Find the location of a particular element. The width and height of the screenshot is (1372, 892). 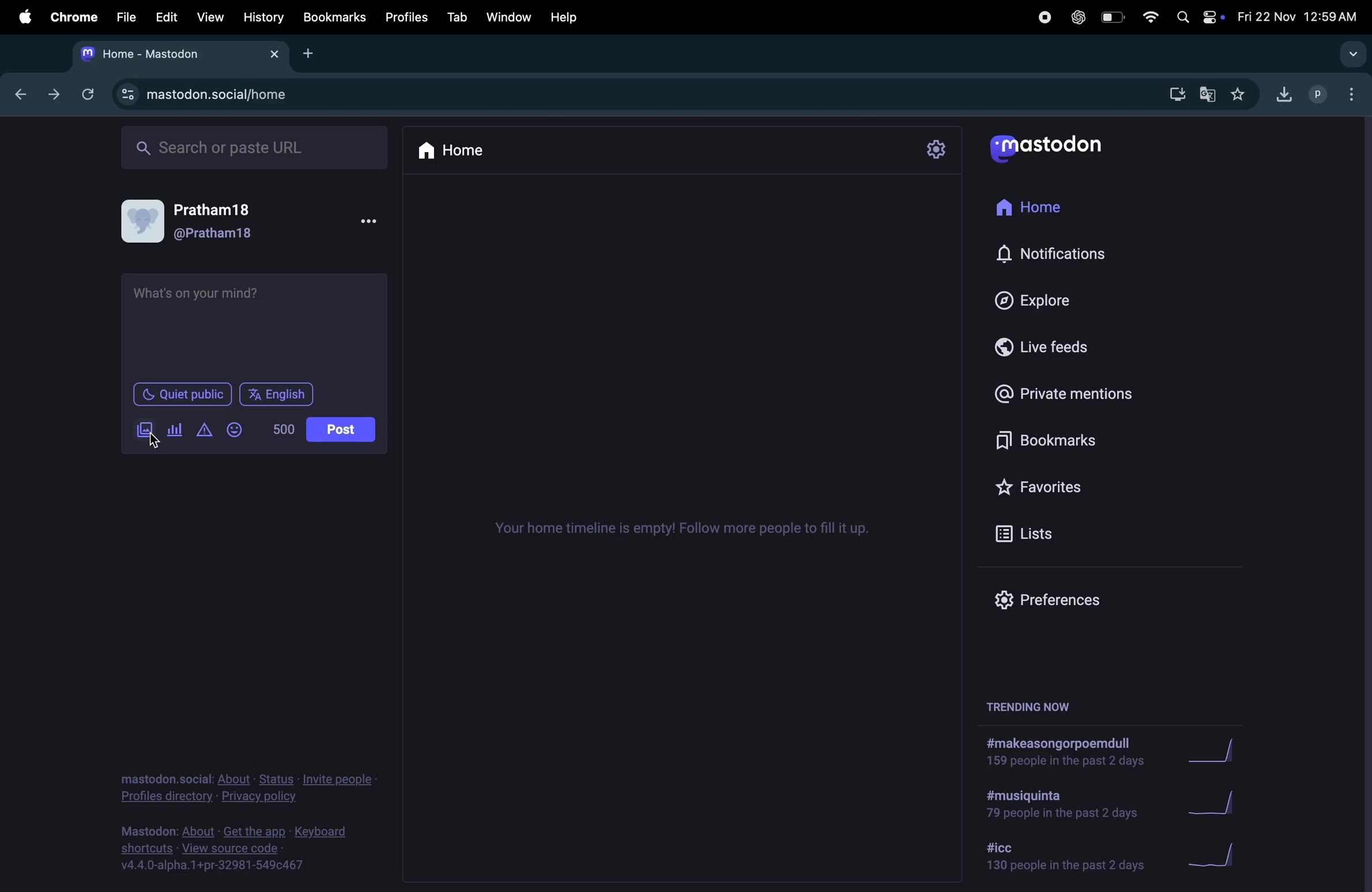

mastodon.social is located at coordinates (165, 778).